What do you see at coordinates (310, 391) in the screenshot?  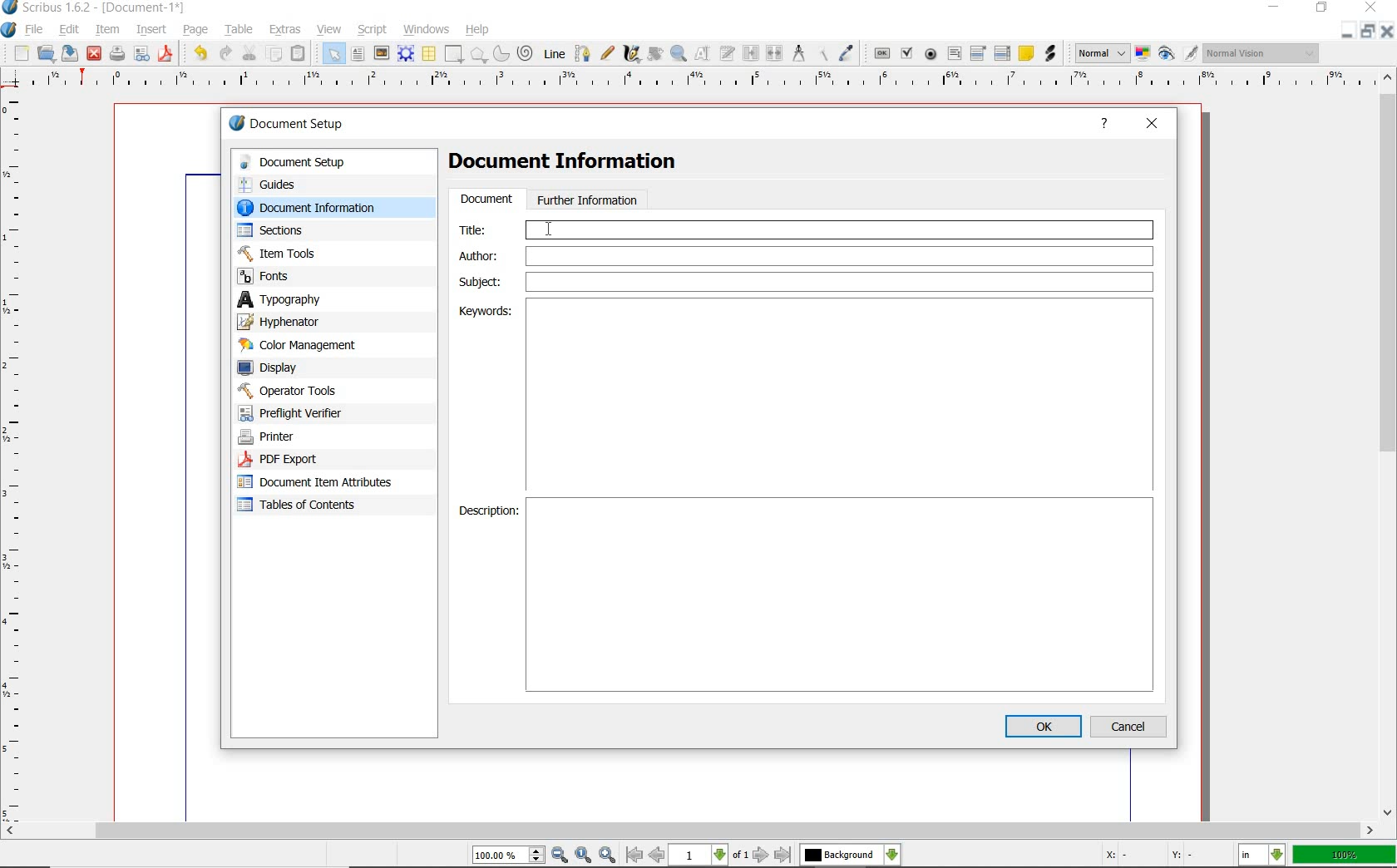 I see `operator tools` at bounding box center [310, 391].